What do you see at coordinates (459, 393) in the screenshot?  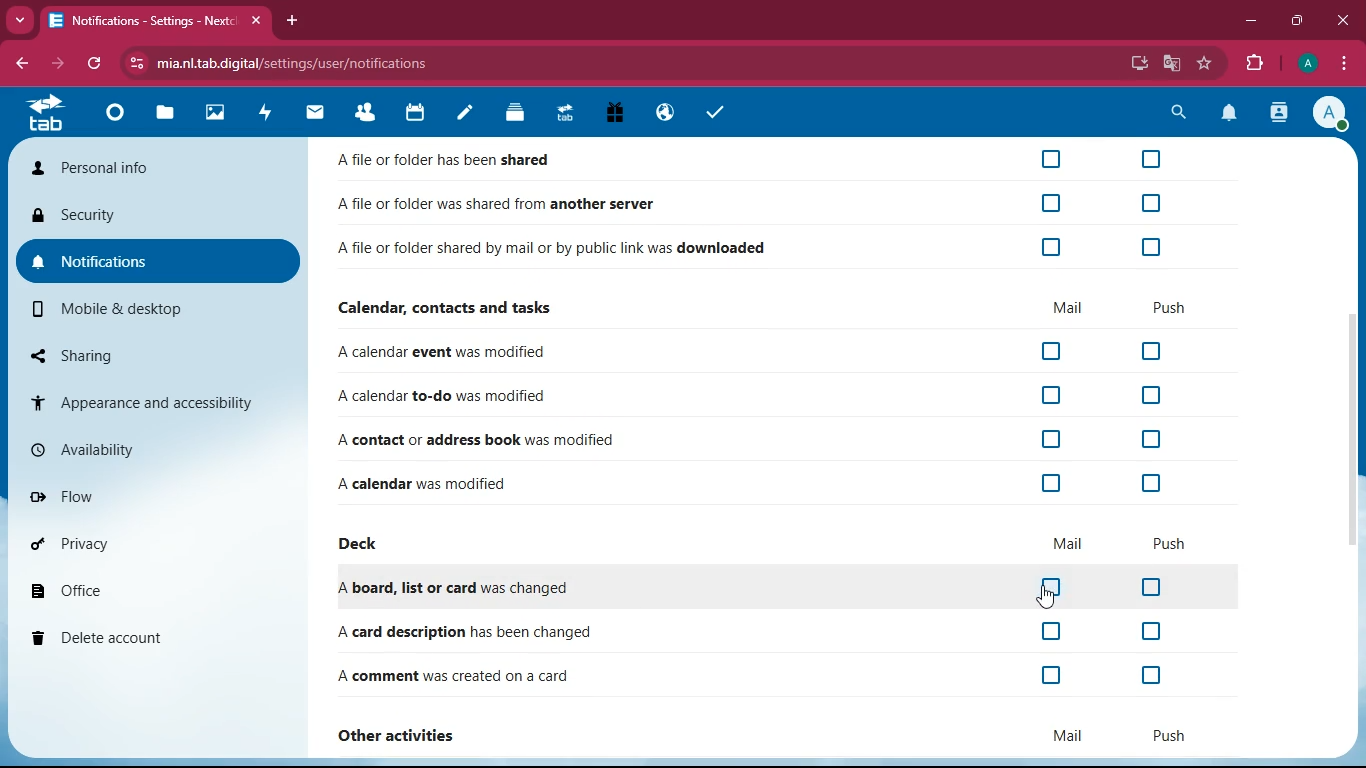 I see `A calendar to-do was modified` at bounding box center [459, 393].